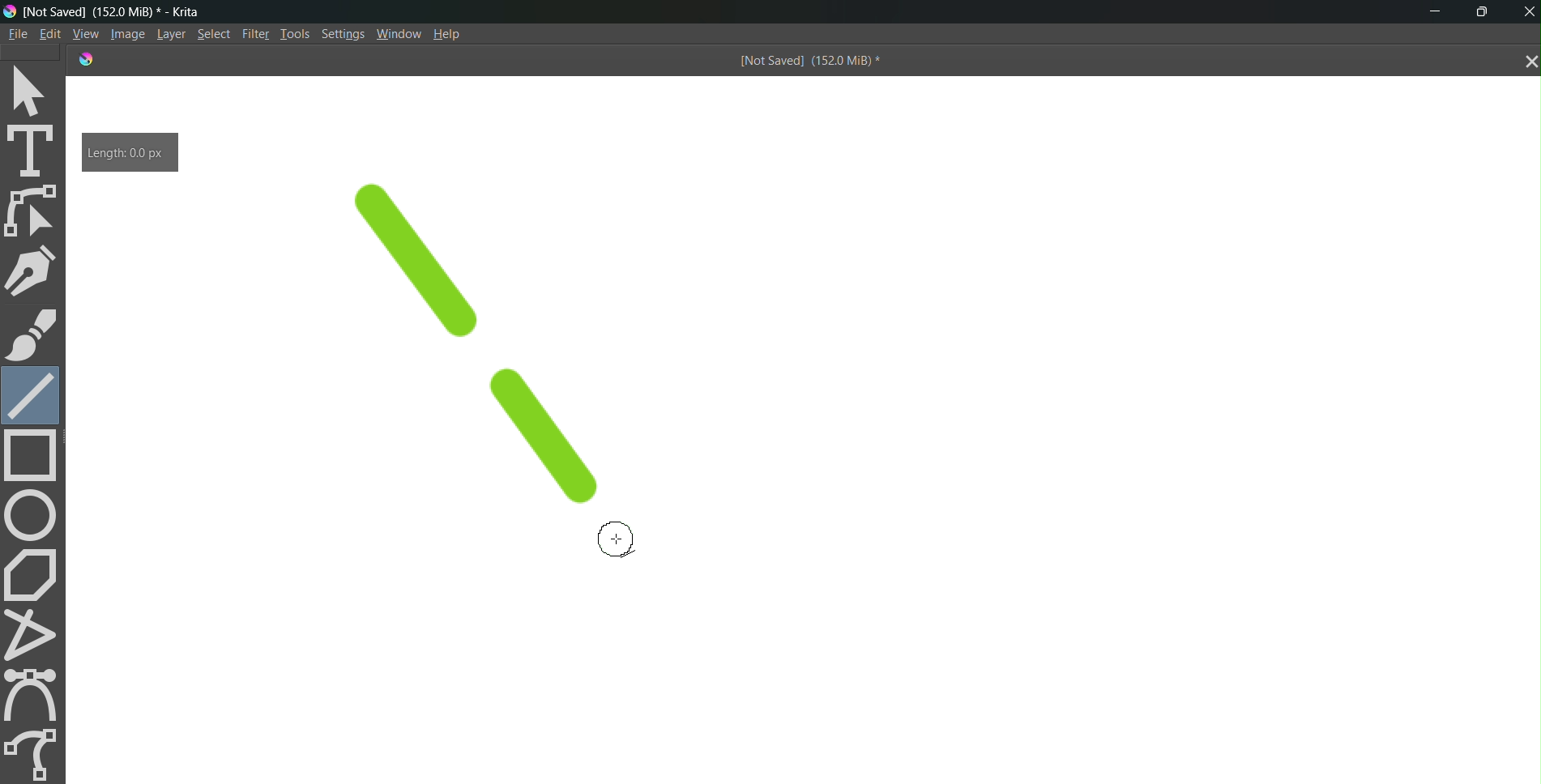  What do you see at coordinates (10, 11) in the screenshot?
I see `logo` at bounding box center [10, 11].